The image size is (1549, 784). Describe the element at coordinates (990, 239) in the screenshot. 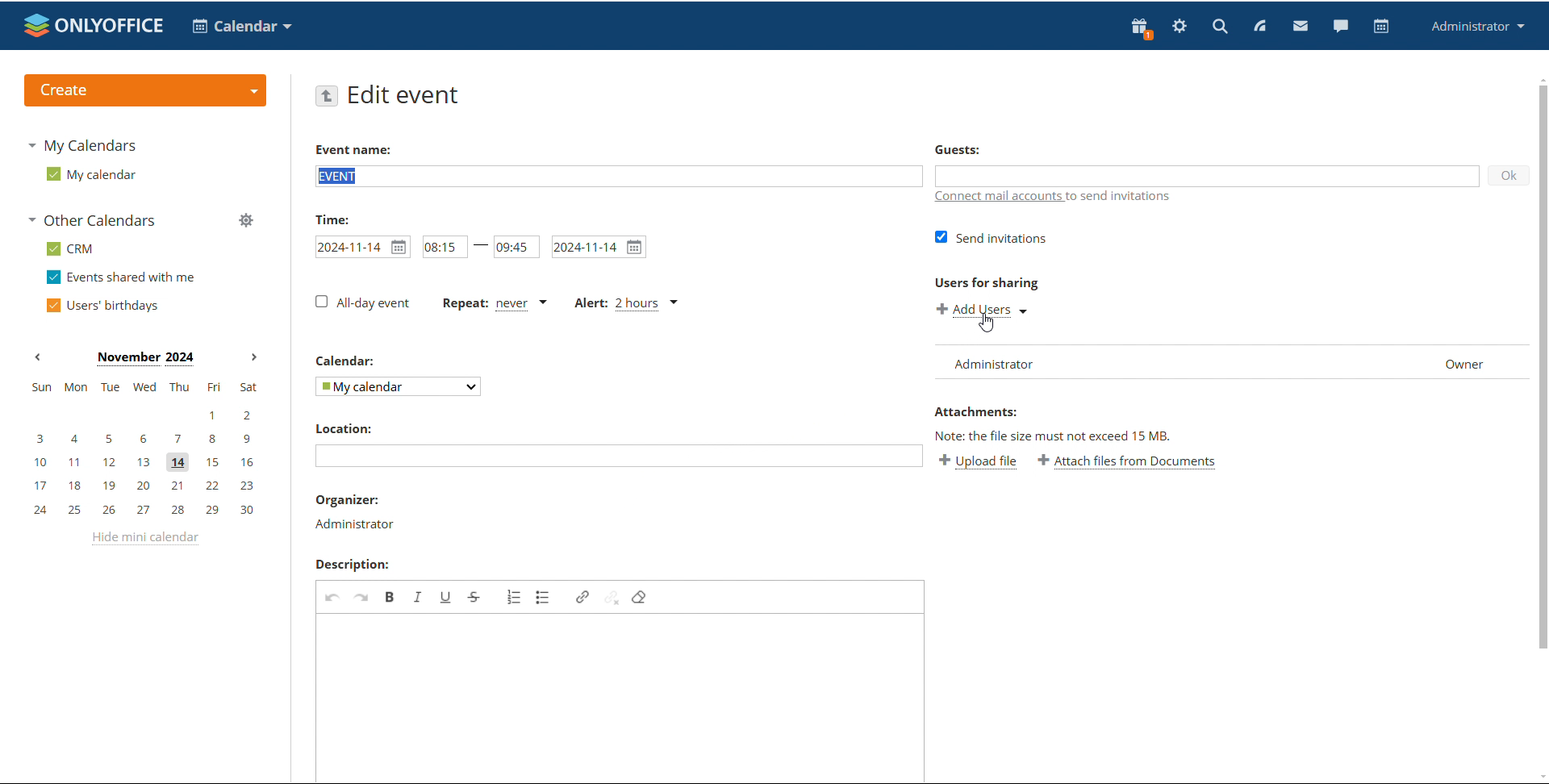

I see `send invitations` at that location.